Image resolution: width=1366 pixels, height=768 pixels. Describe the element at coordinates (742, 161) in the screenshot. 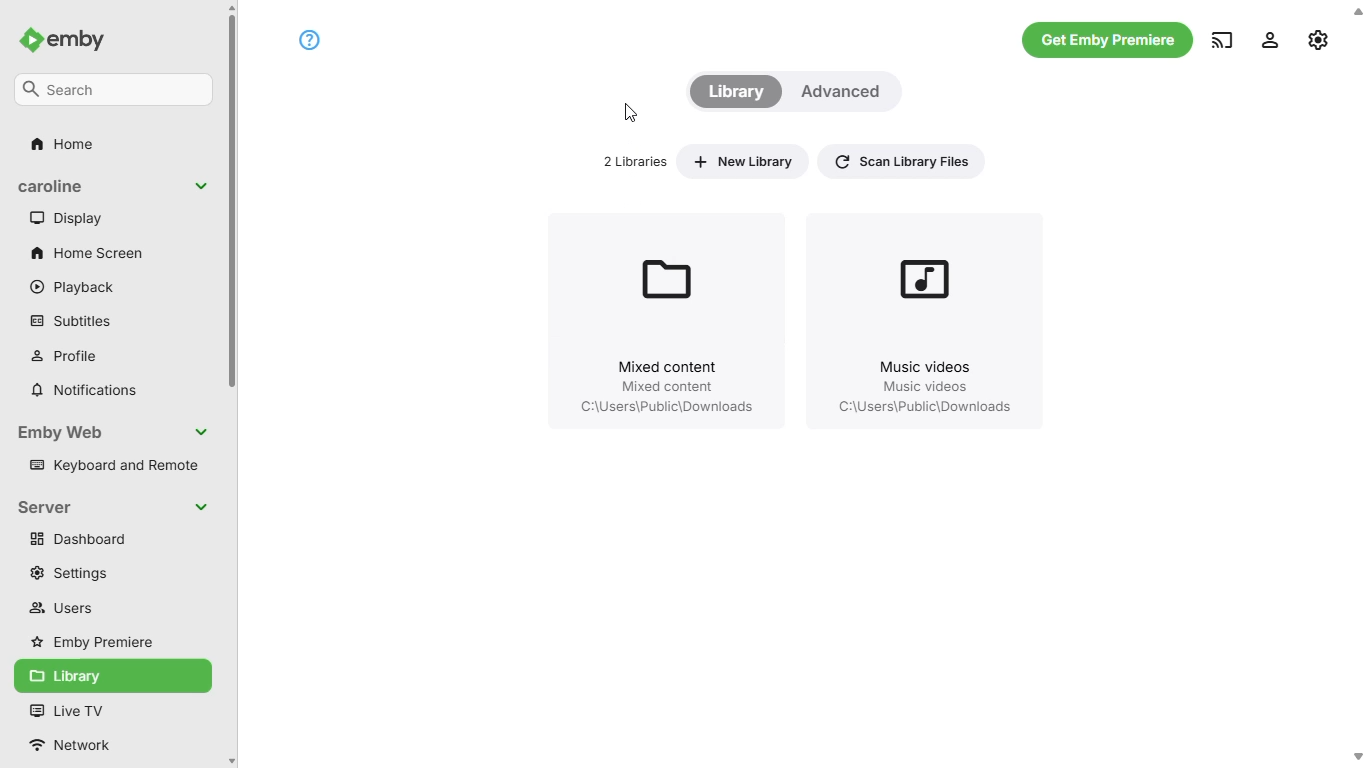

I see `new library` at that location.